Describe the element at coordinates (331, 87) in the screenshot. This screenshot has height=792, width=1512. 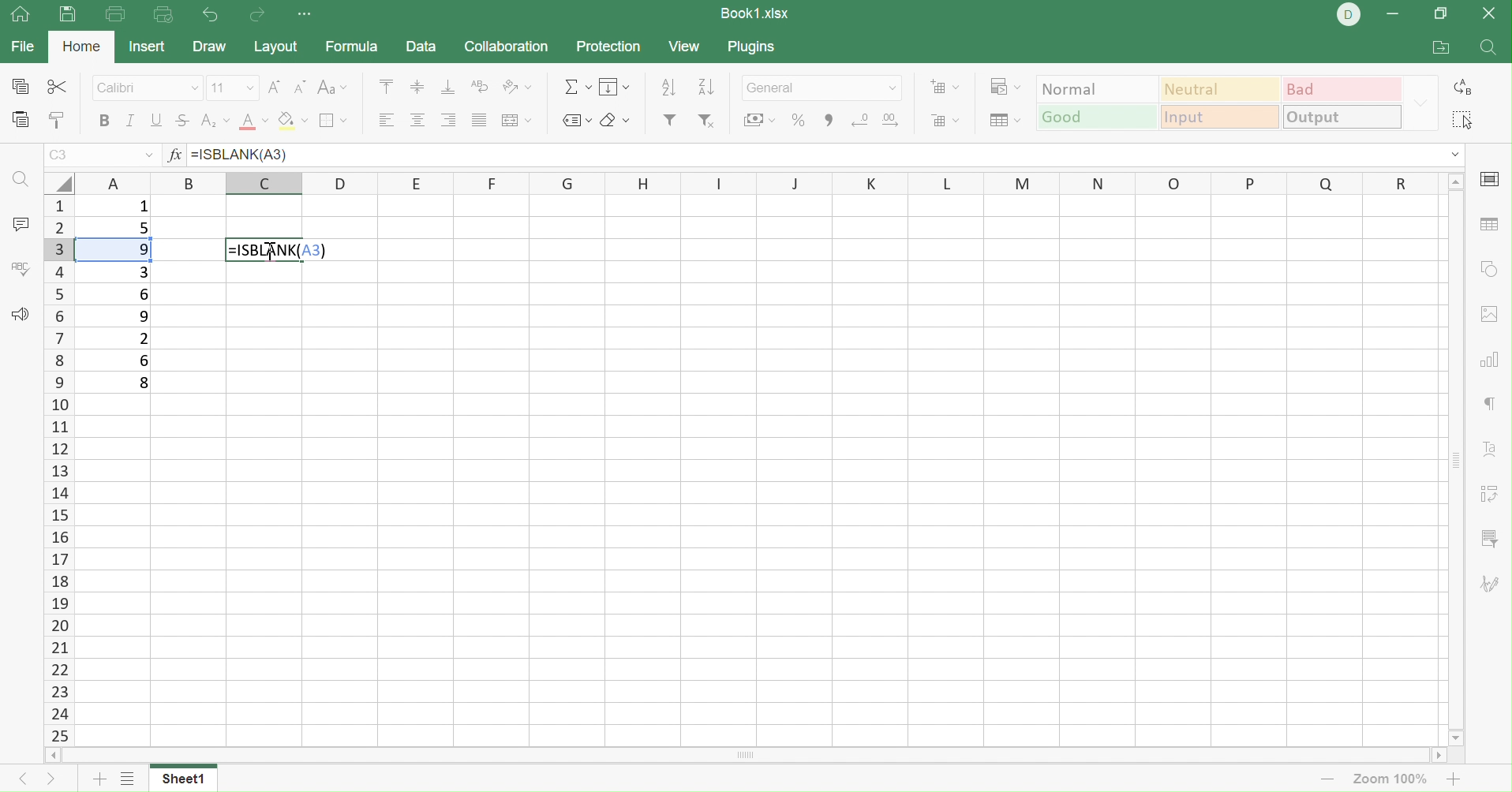
I see `Change case` at that location.